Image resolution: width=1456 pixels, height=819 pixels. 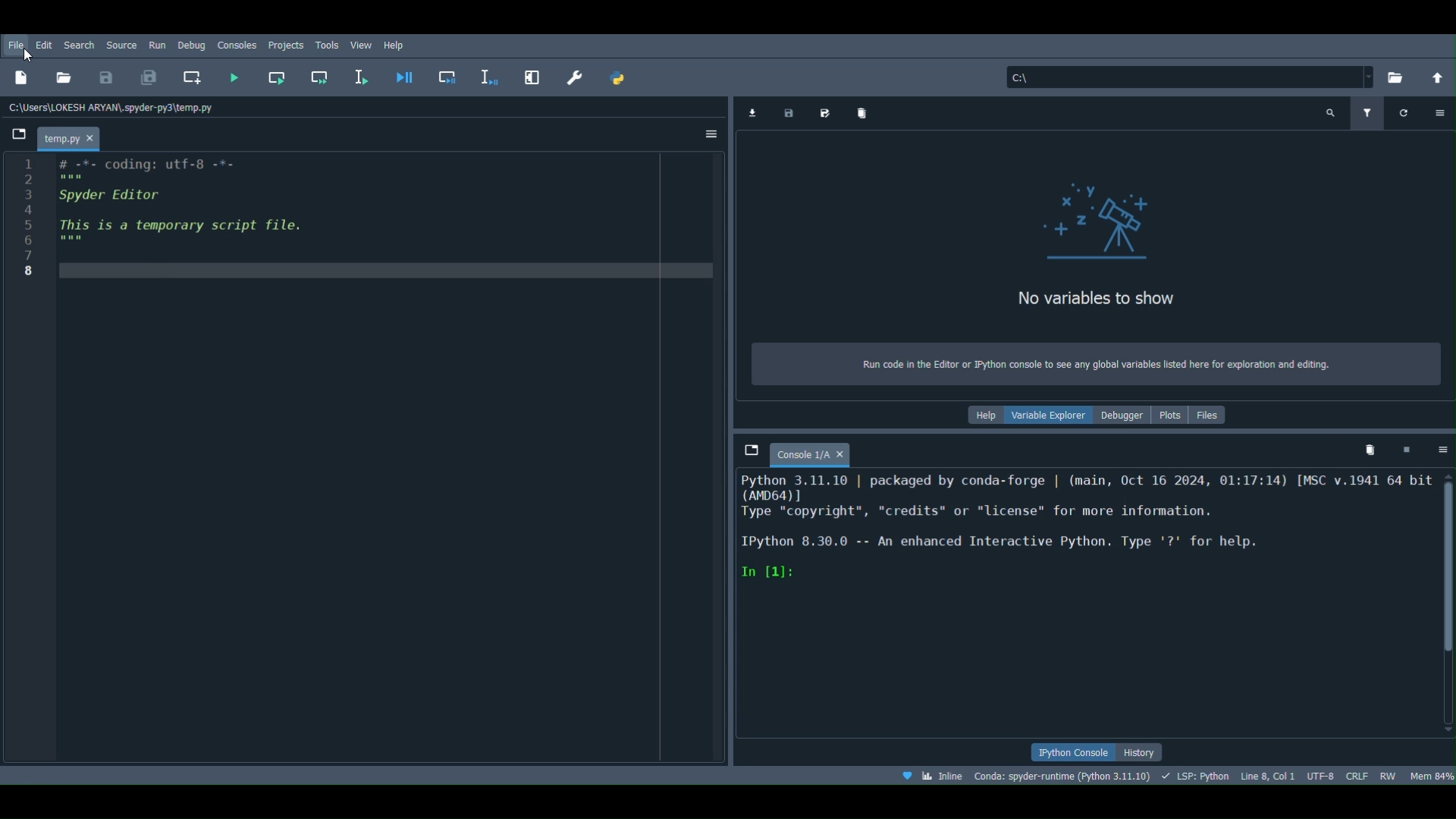 I want to click on Save data, so click(x=789, y=112).